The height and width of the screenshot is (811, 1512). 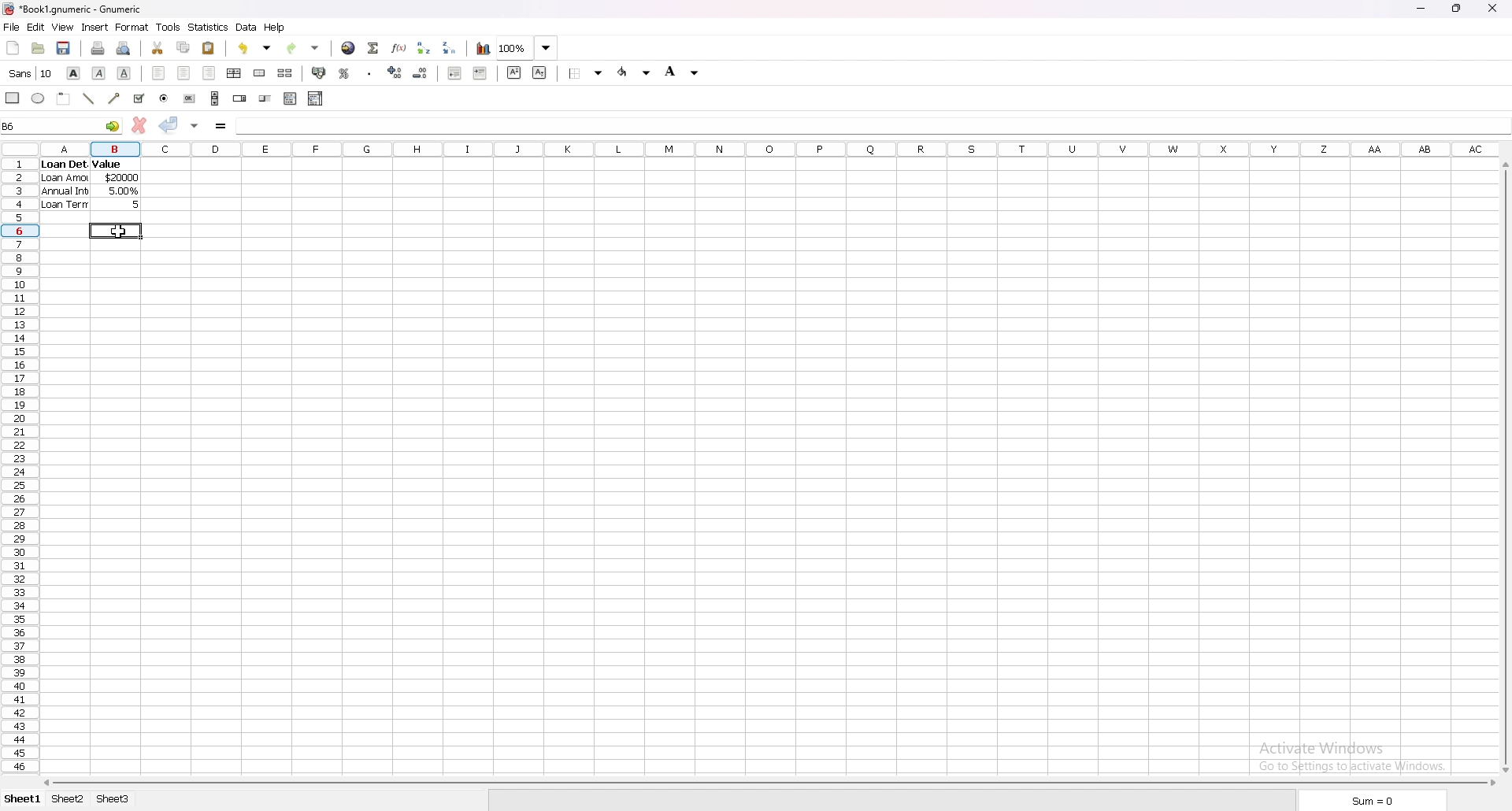 I want to click on cell input, so click(x=871, y=125).